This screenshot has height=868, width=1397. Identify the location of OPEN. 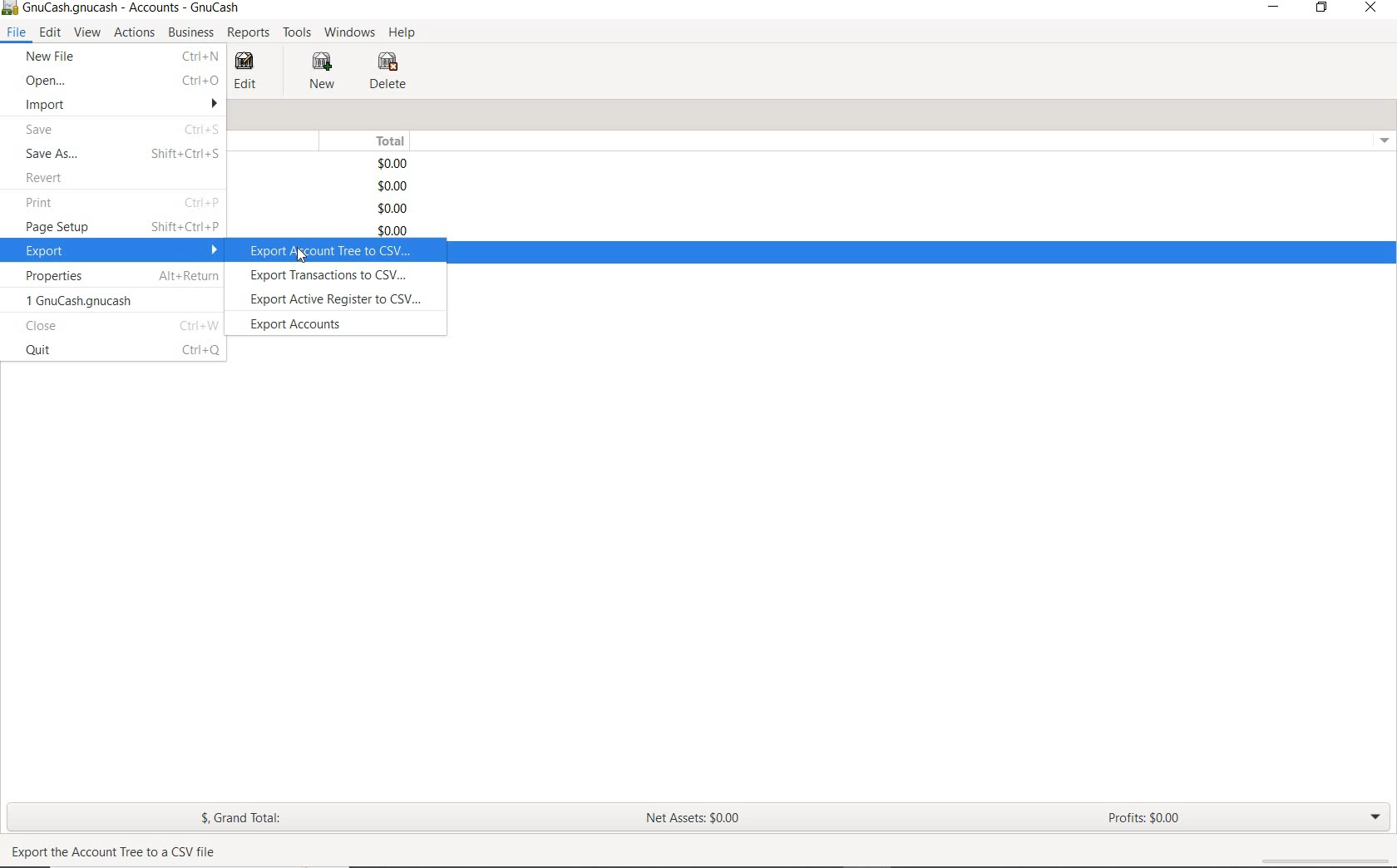
(47, 81).